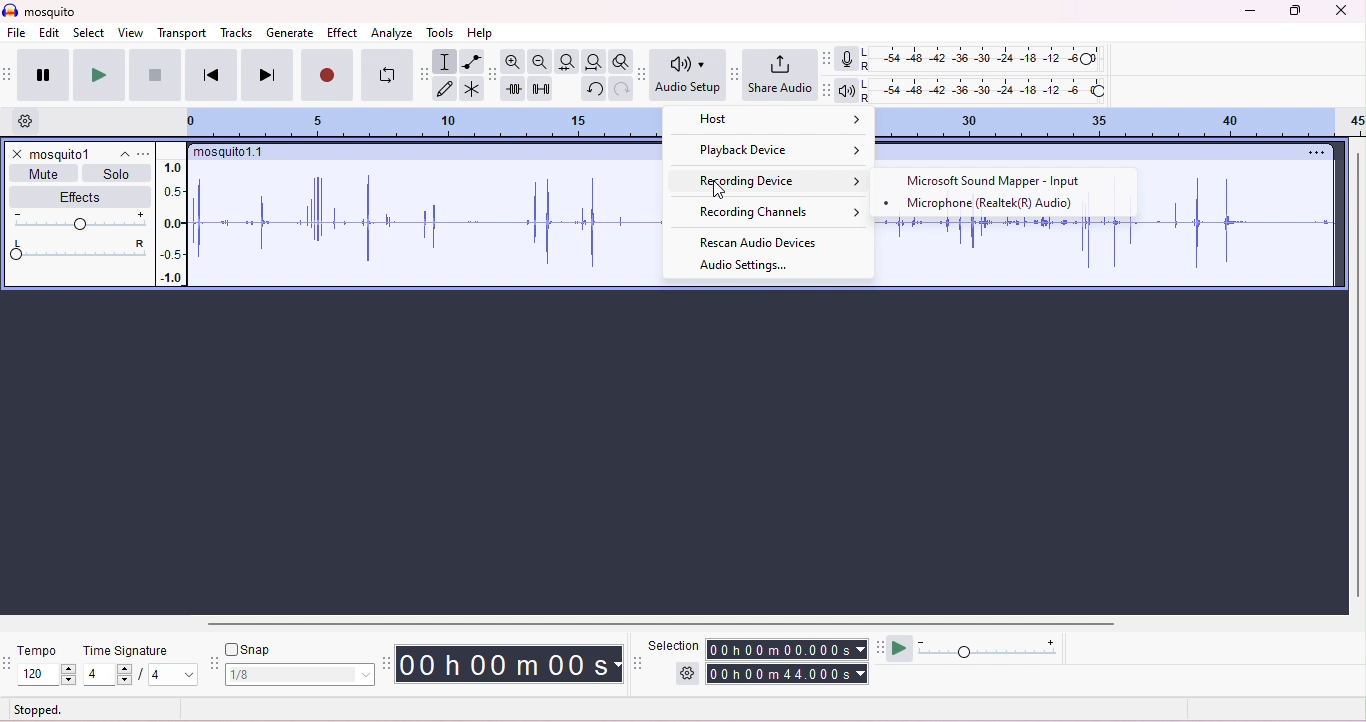 This screenshot has width=1366, height=722. Describe the element at coordinates (211, 74) in the screenshot. I see `previous` at that location.